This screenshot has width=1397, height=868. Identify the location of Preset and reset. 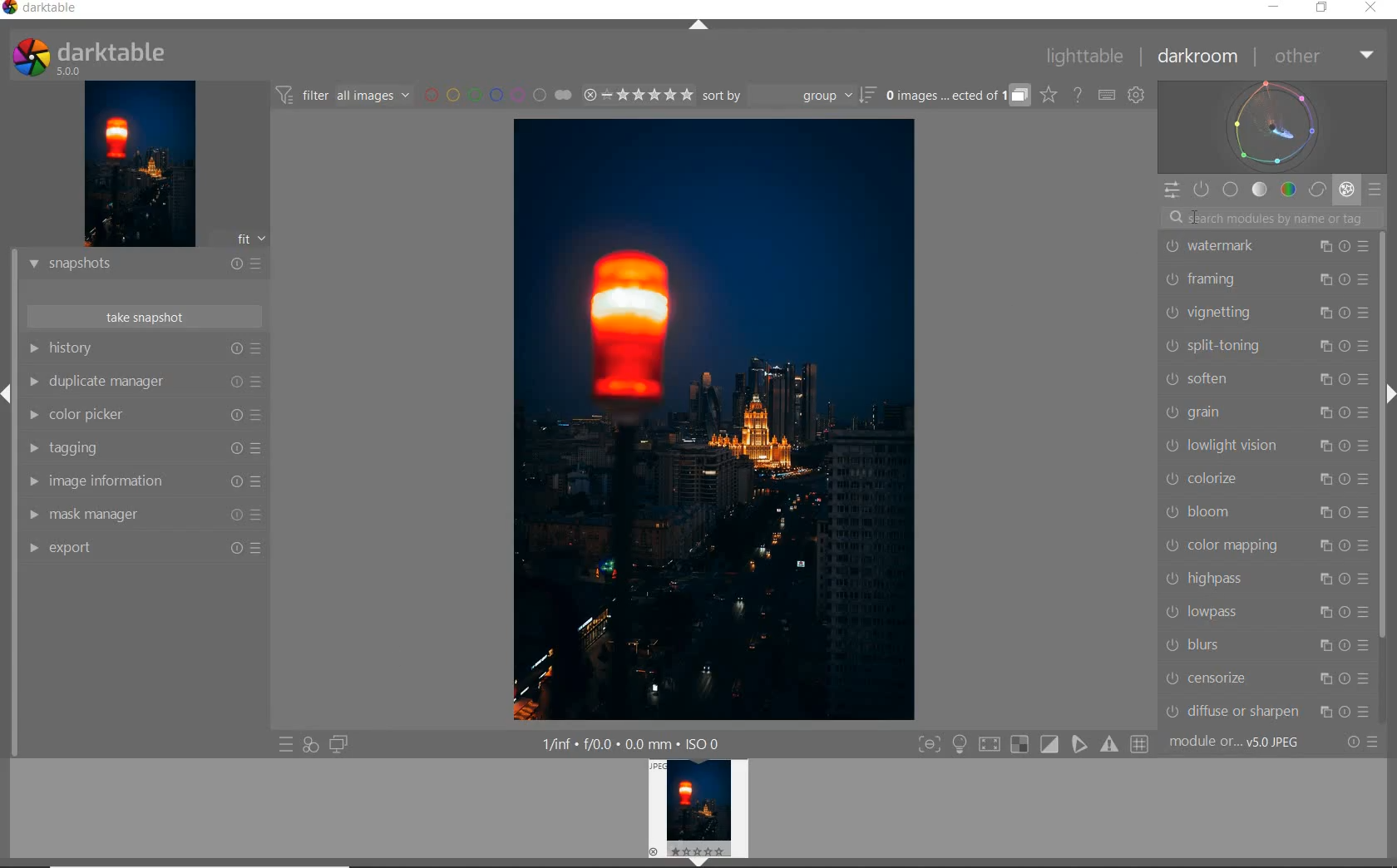
(1365, 446).